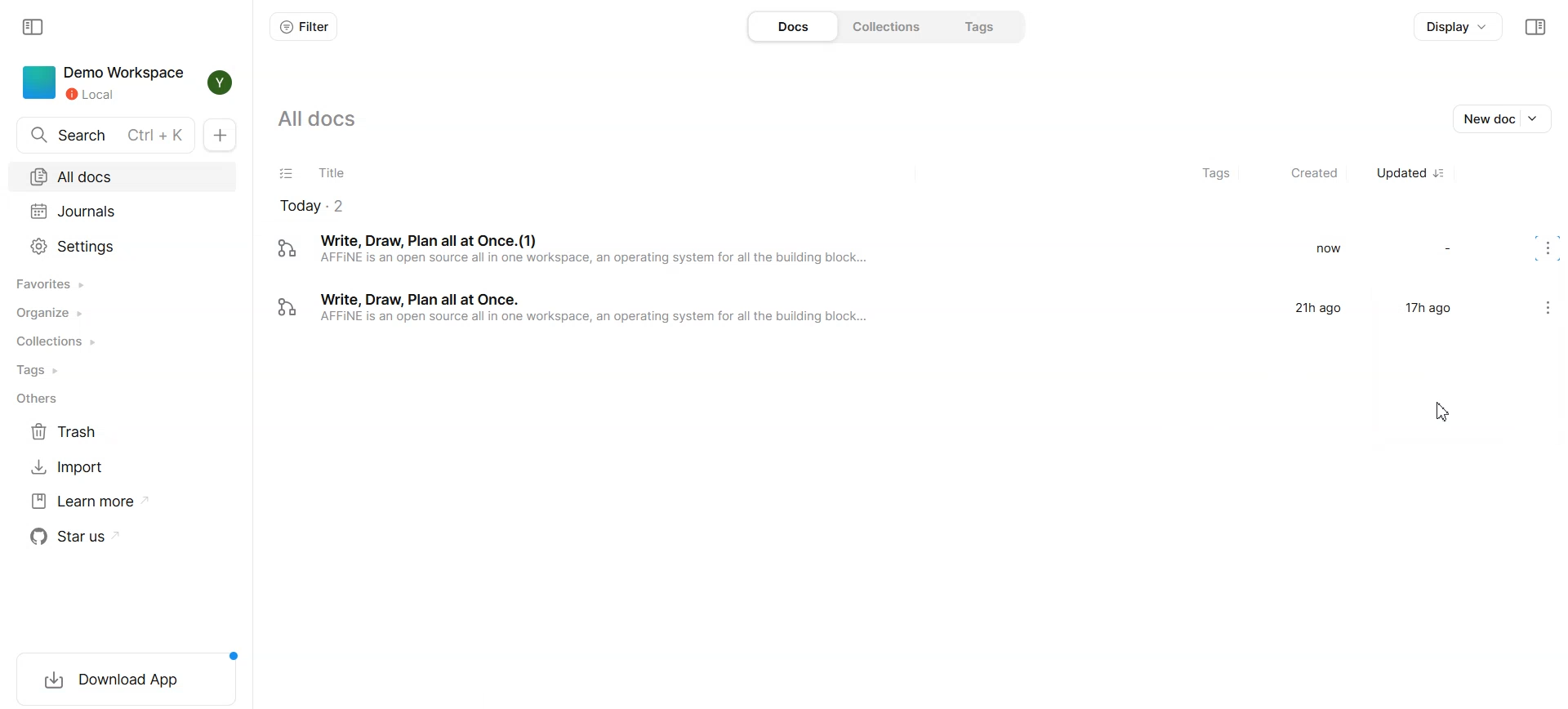 The width and height of the screenshot is (1568, 709). I want to click on Search docs, so click(104, 134).